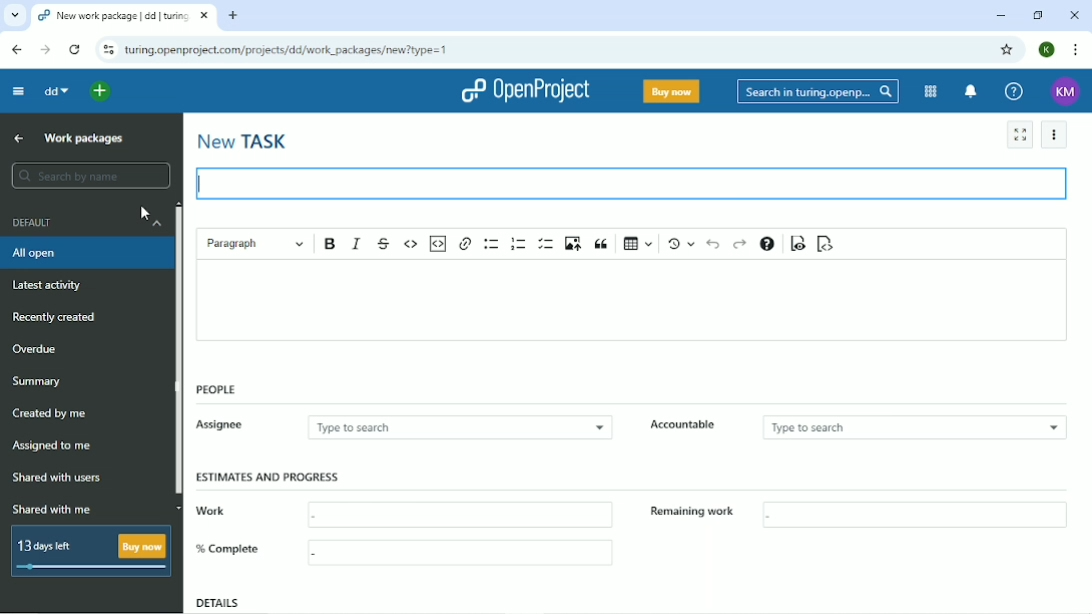 The width and height of the screenshot is (1092, 614). Describe the element at coordinates (356, 243) in the screenshot. I see `Italic` at that location.